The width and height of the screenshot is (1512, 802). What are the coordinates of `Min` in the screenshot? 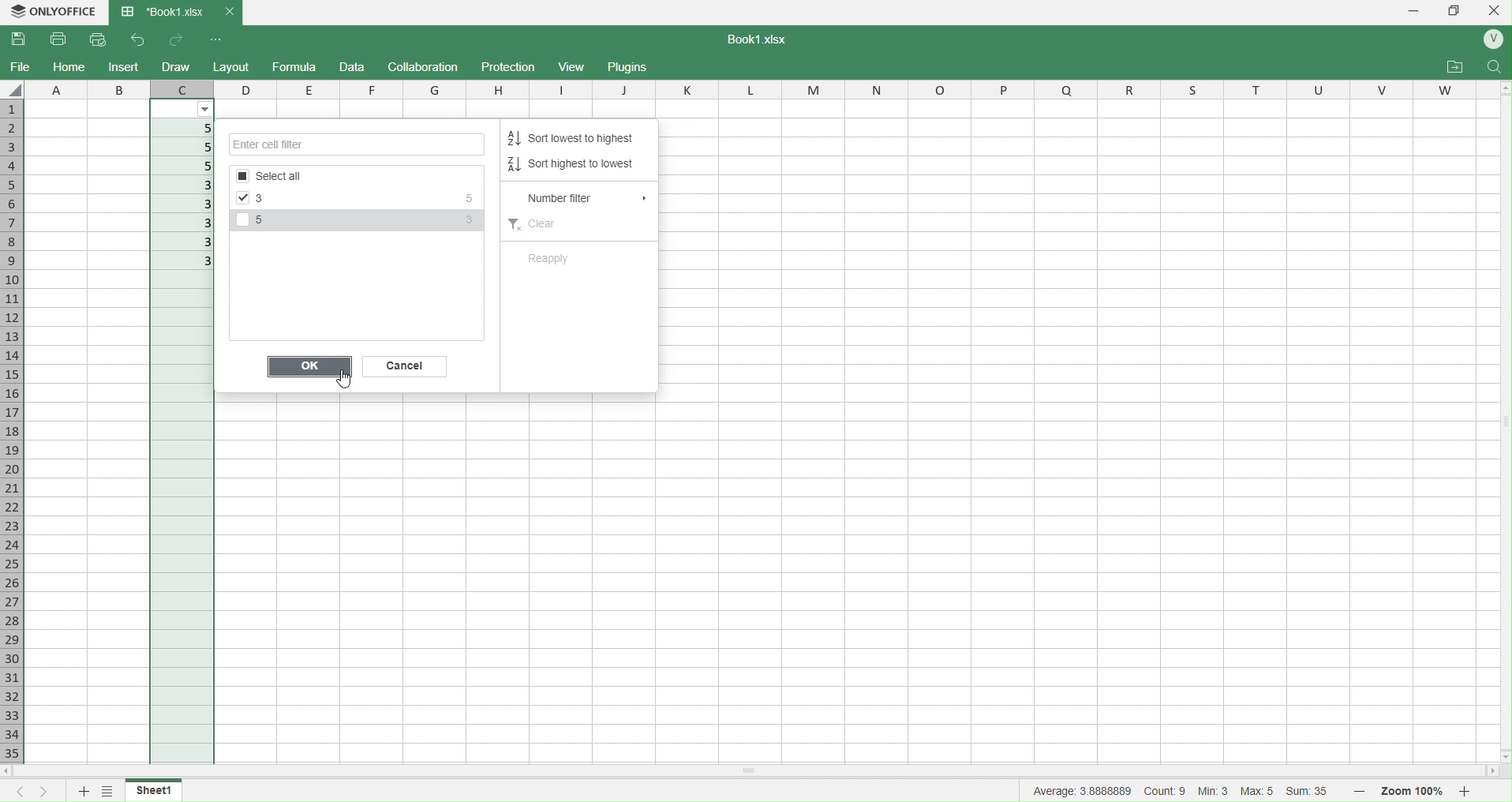 It's located at (1214, 792).